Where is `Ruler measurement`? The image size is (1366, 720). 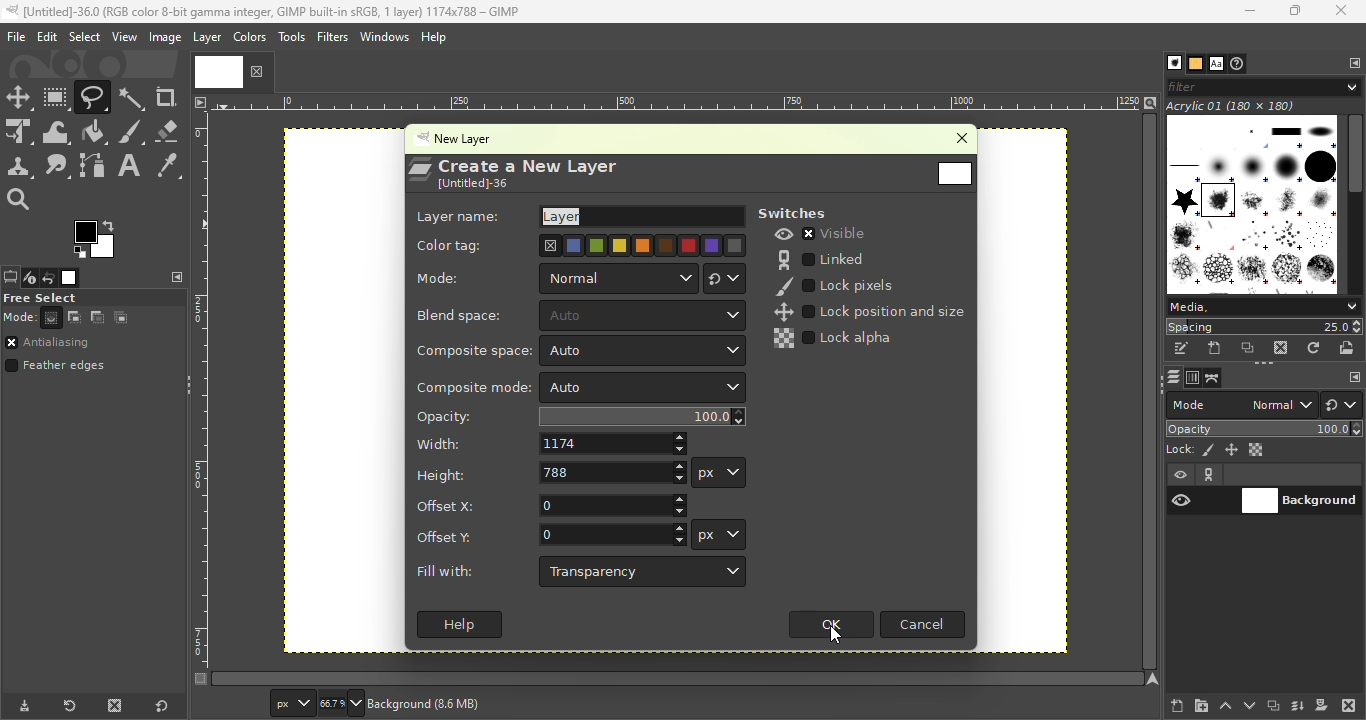
Ruler measurement is located at coordinates (677, 101).